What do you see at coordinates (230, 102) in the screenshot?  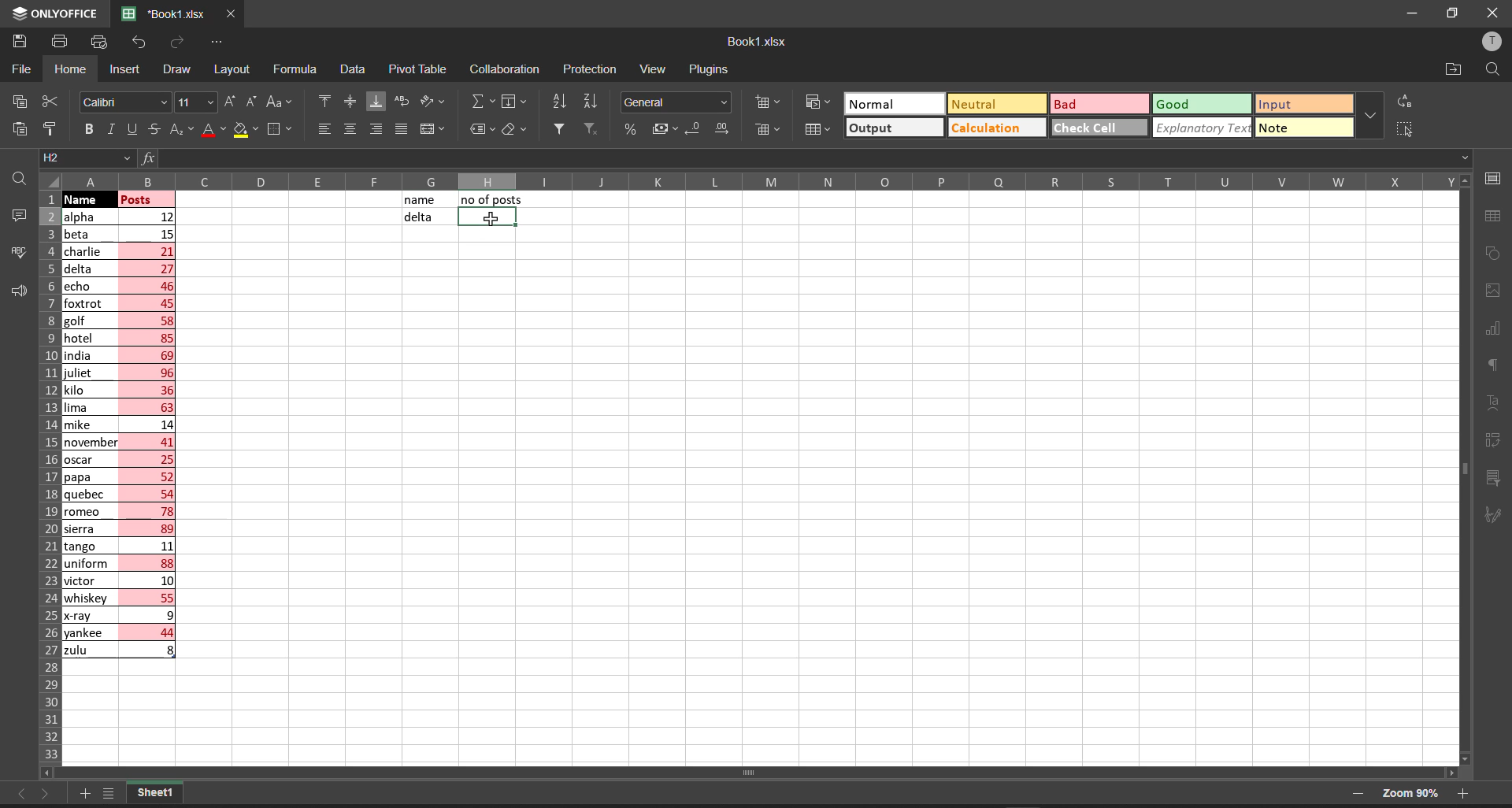 I see `increment font size` at bounding box center [230, 102].